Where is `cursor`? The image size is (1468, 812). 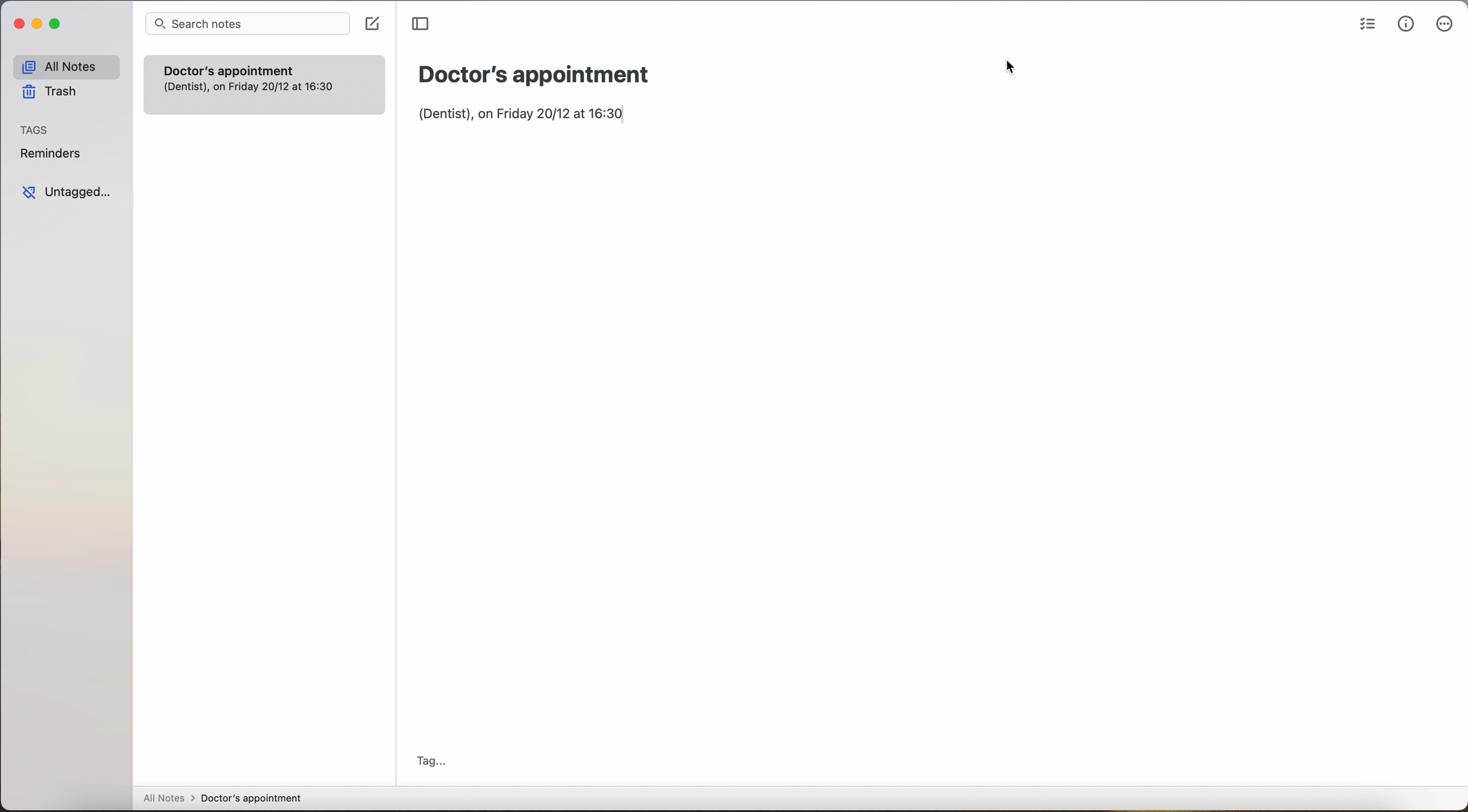 cursor is located at coordinates (1010, 68).